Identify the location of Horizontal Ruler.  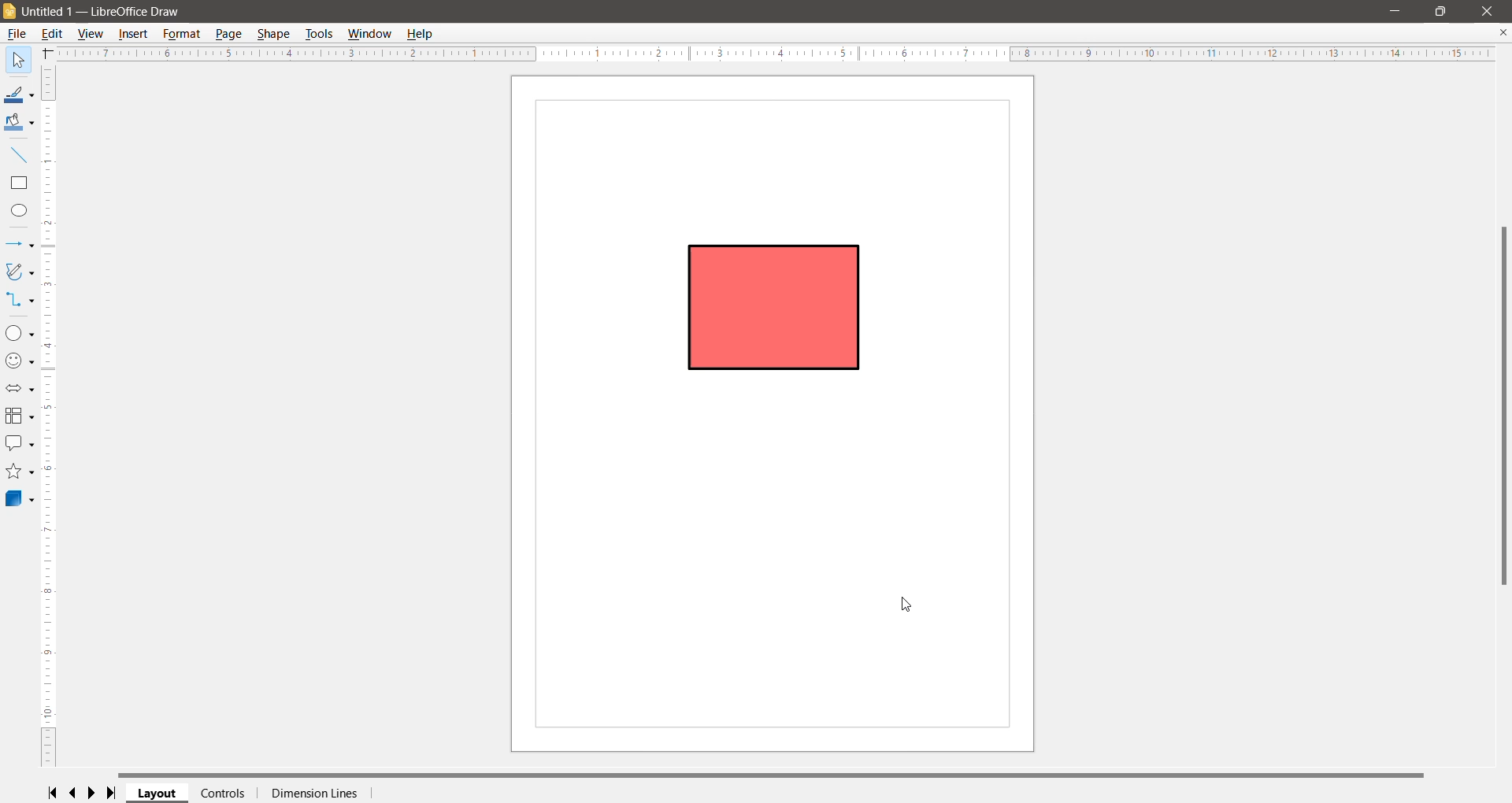
(774, 54).